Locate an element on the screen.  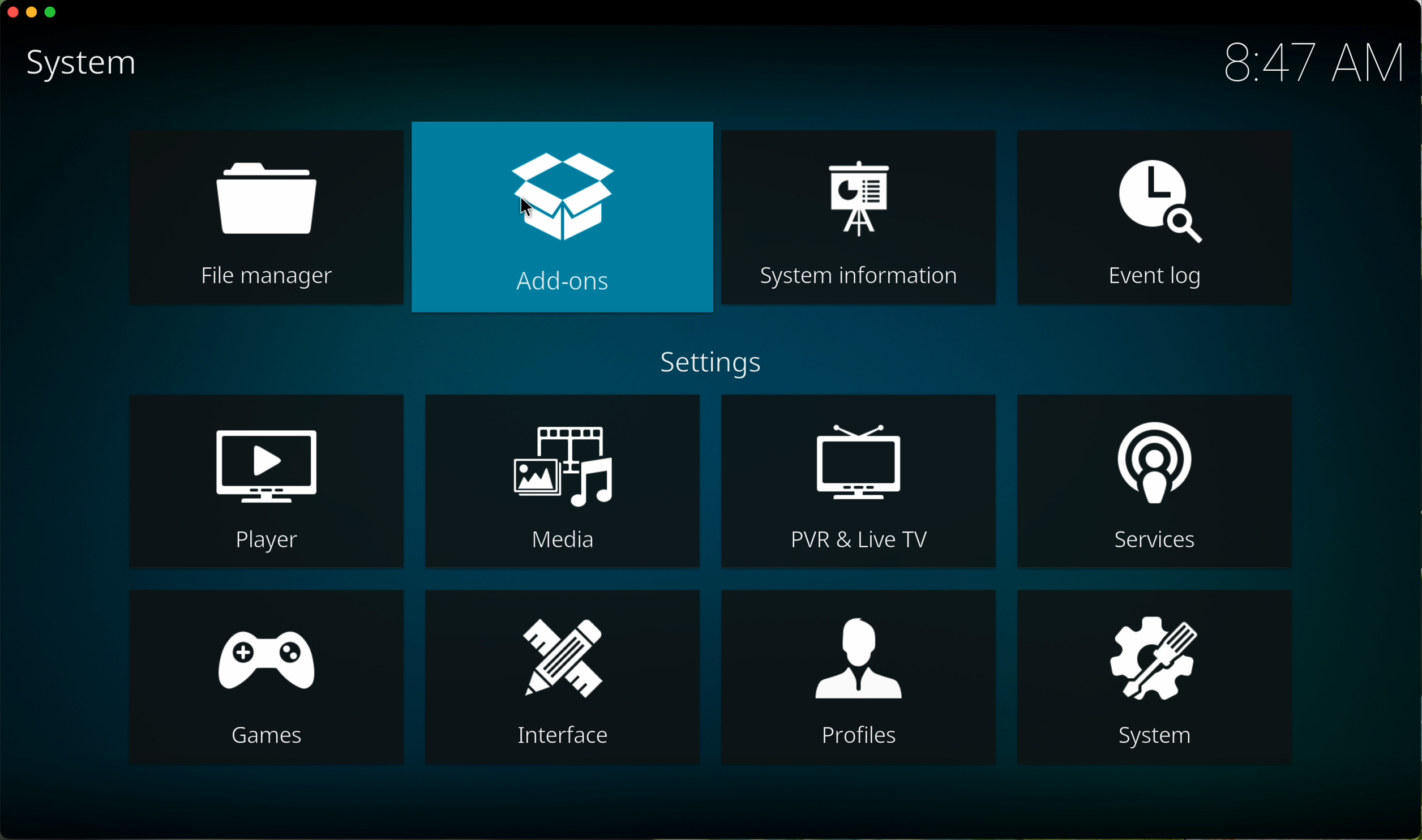
click on add-ons is located at coordinates (559, 217).